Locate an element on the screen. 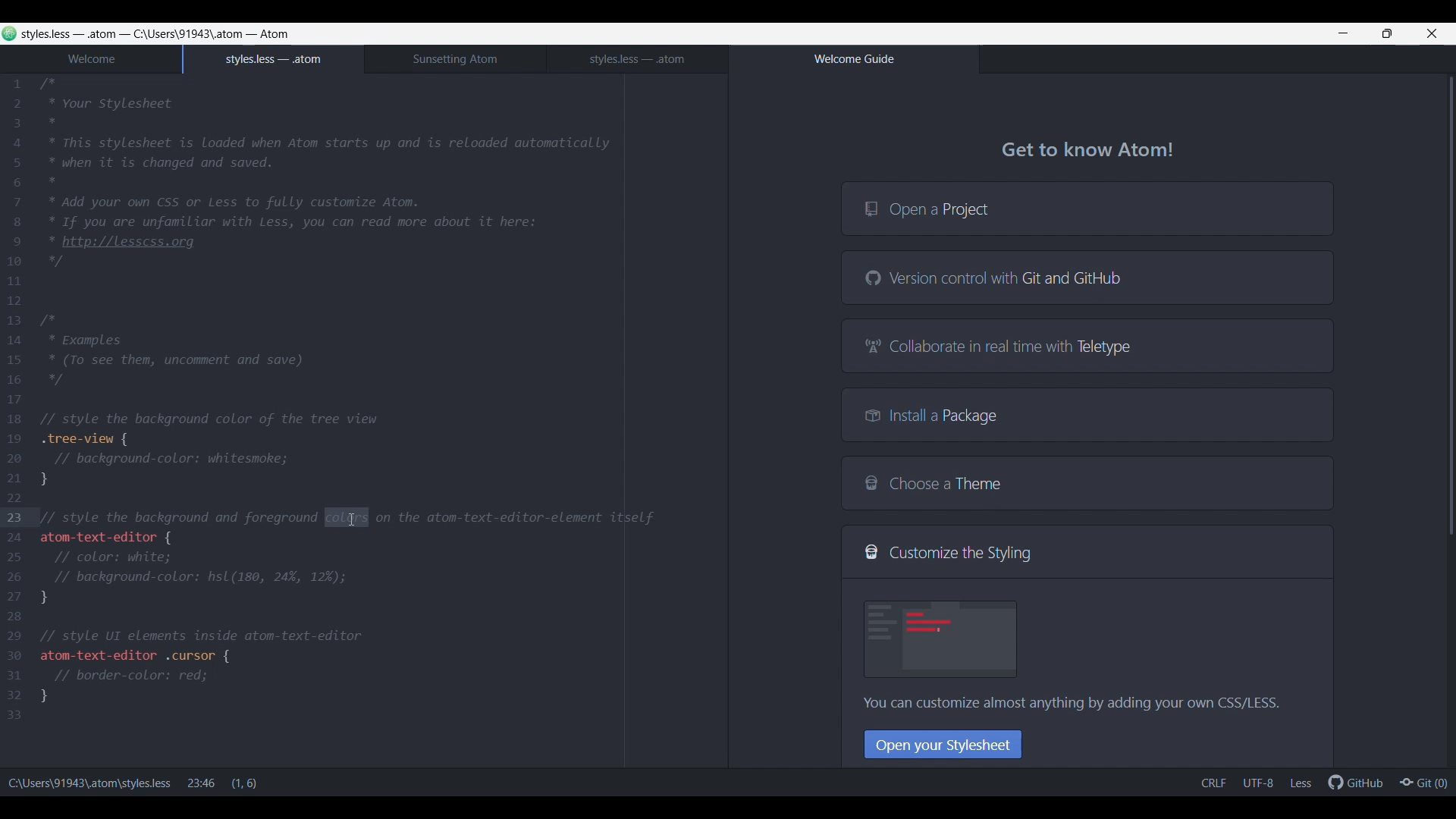 The width and height of the screenshot is (1456, 819). Install a Package is located at coordinates (1087, 414).